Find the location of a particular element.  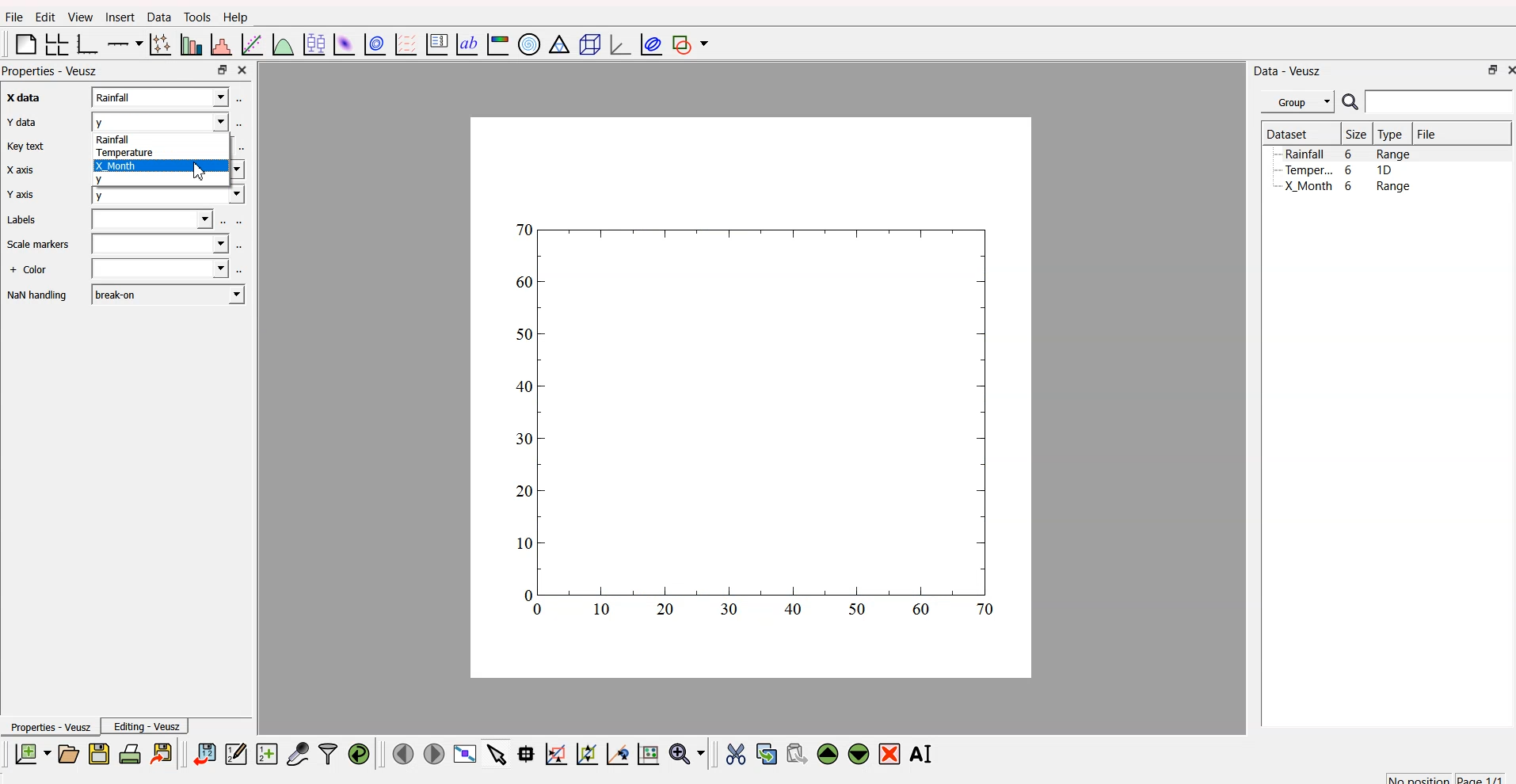

draw points is located at coordinates (584, 754).